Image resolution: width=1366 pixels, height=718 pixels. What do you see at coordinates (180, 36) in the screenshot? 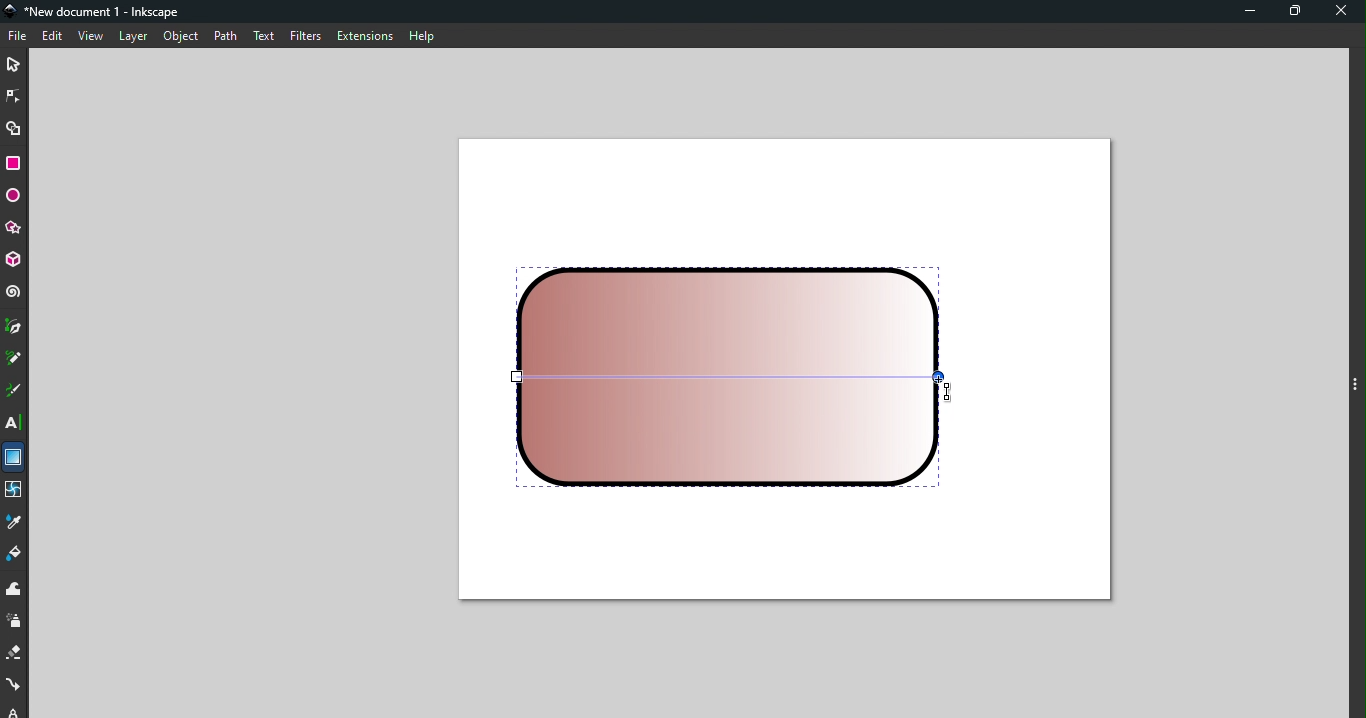
I see `Object` at bounding box center [180, 36].